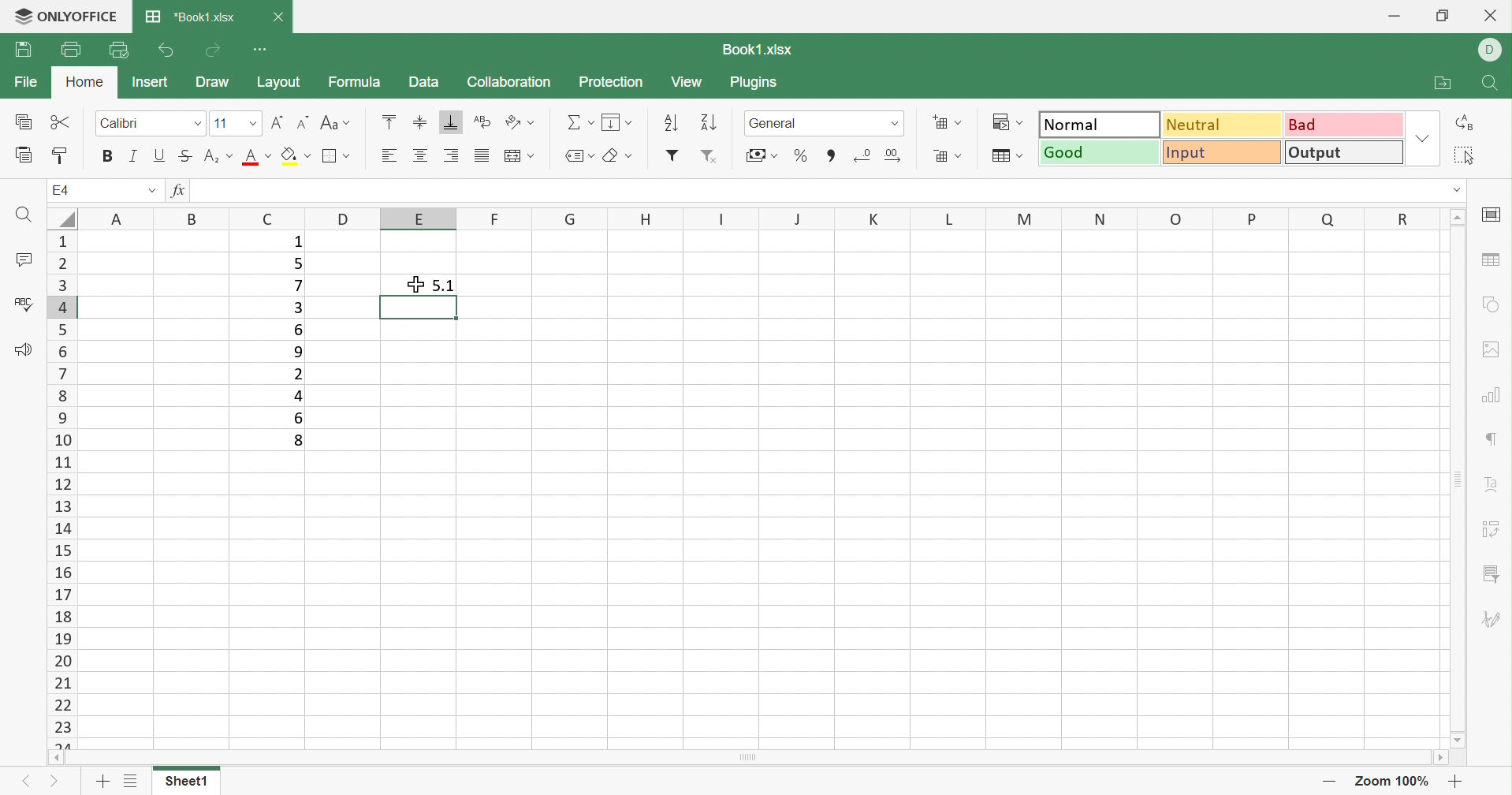 The width and height of the screenshot is (1512, 795). I want to click on Comma style, so click(832, 156).